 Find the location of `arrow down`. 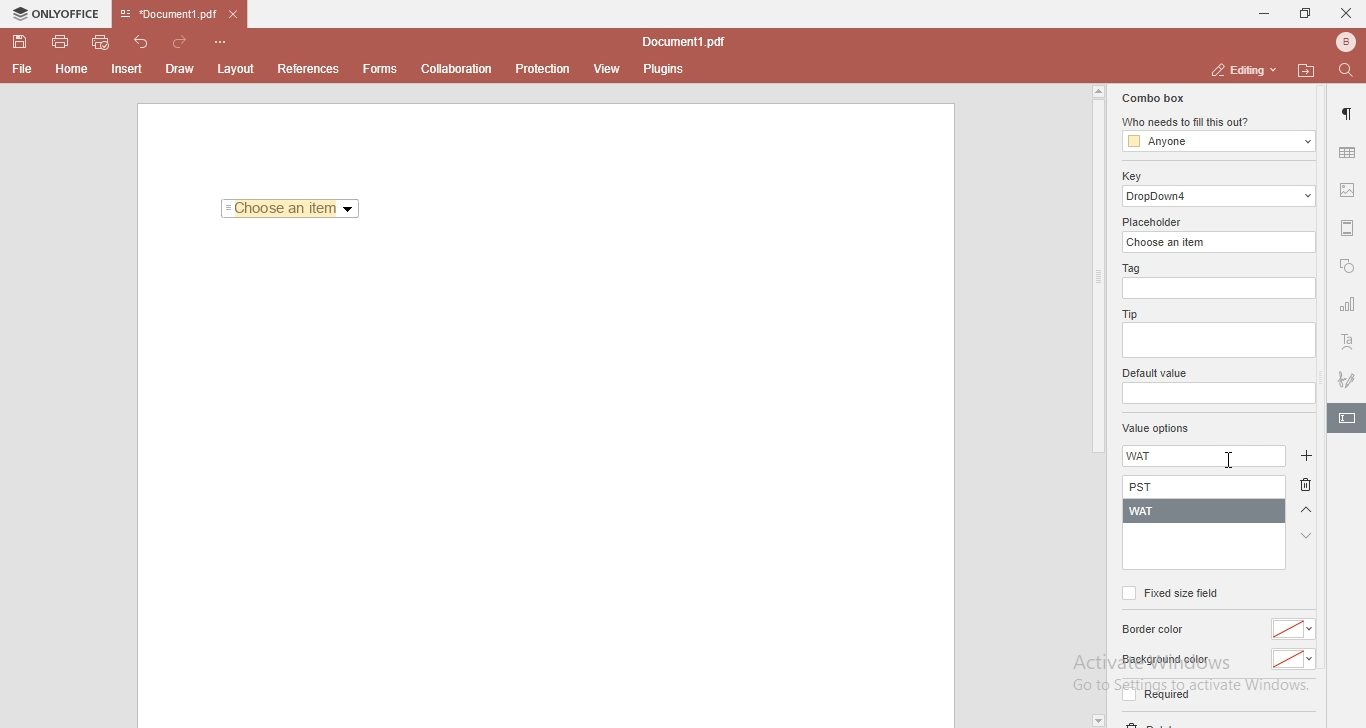

arrow down is located at coordinates (1307, 536).